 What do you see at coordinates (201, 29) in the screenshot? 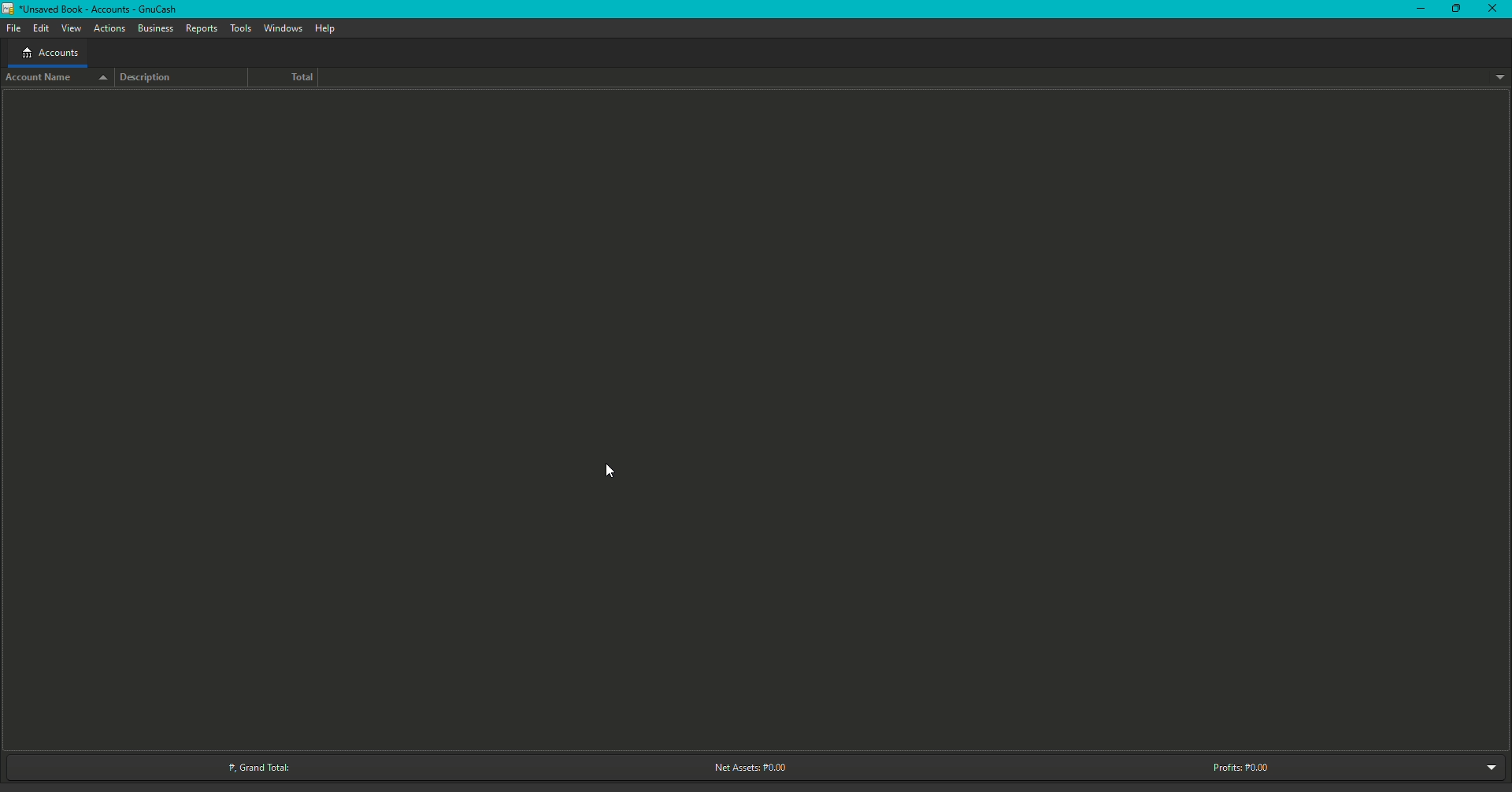
I see `Reports` at bounding box center [201, 29].